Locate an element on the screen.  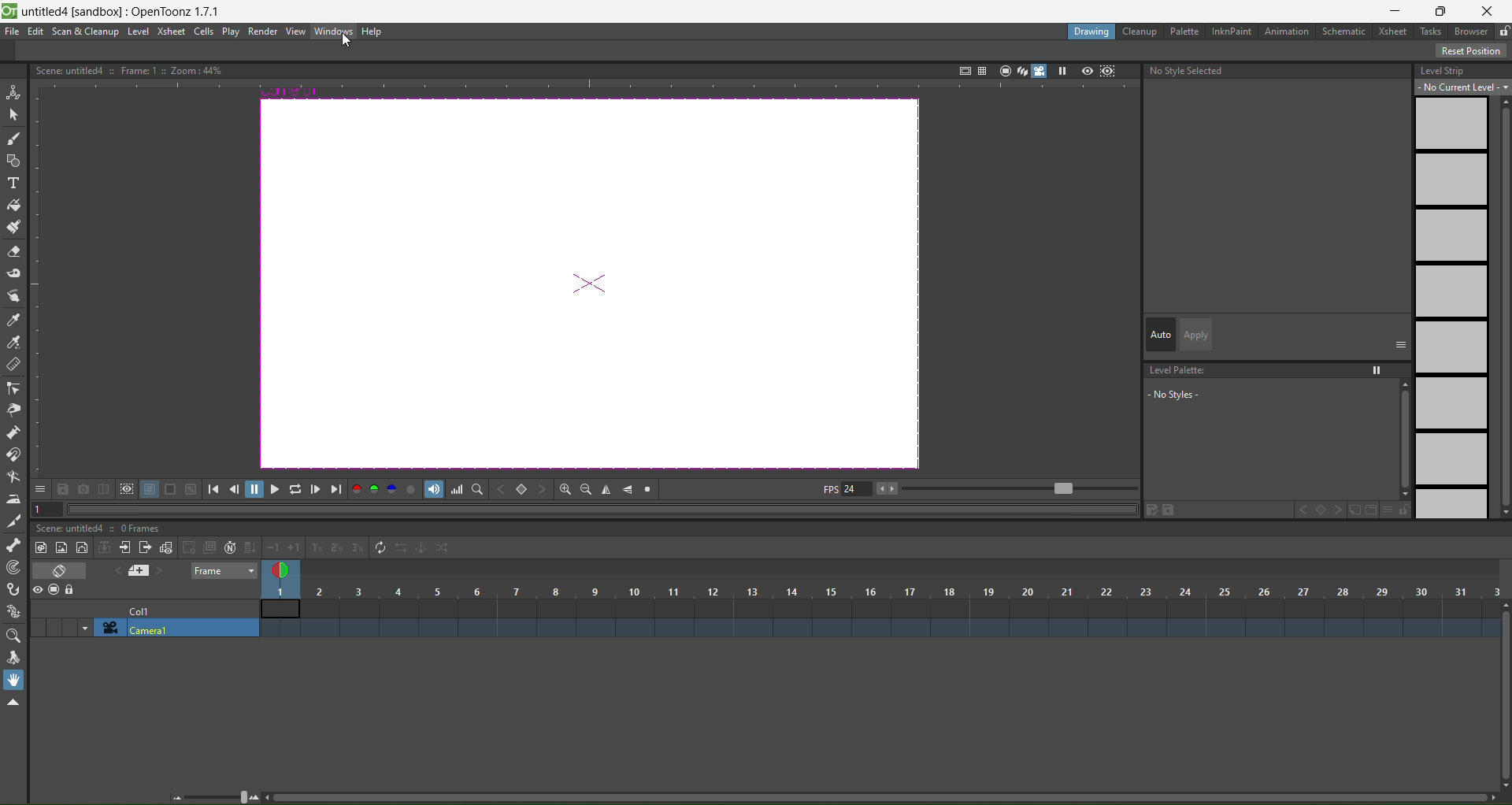
cutter tool is located at coordinates (13, 521).